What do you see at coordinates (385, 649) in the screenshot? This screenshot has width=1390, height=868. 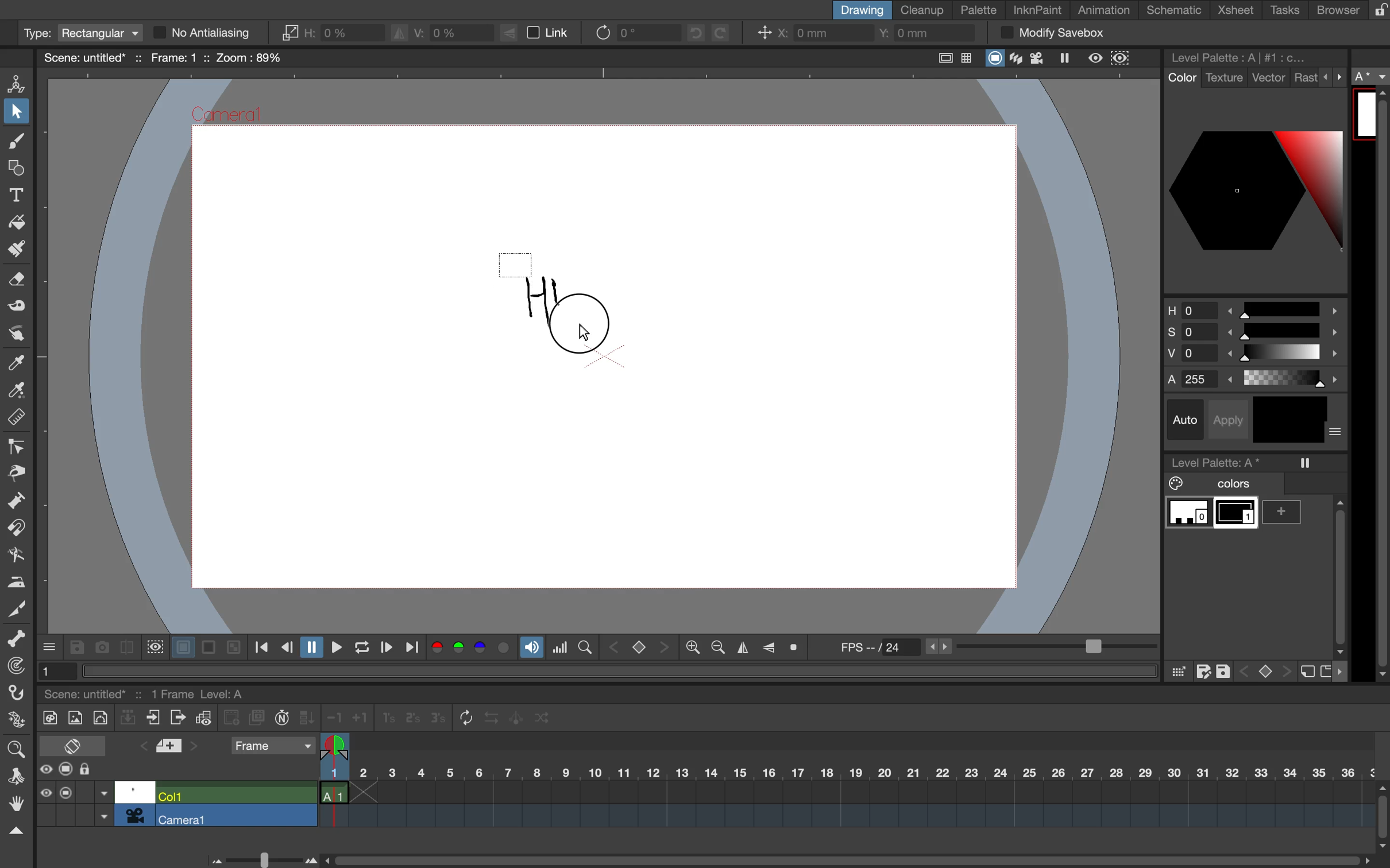 I see `next frame` at bounding box center [385, 649].